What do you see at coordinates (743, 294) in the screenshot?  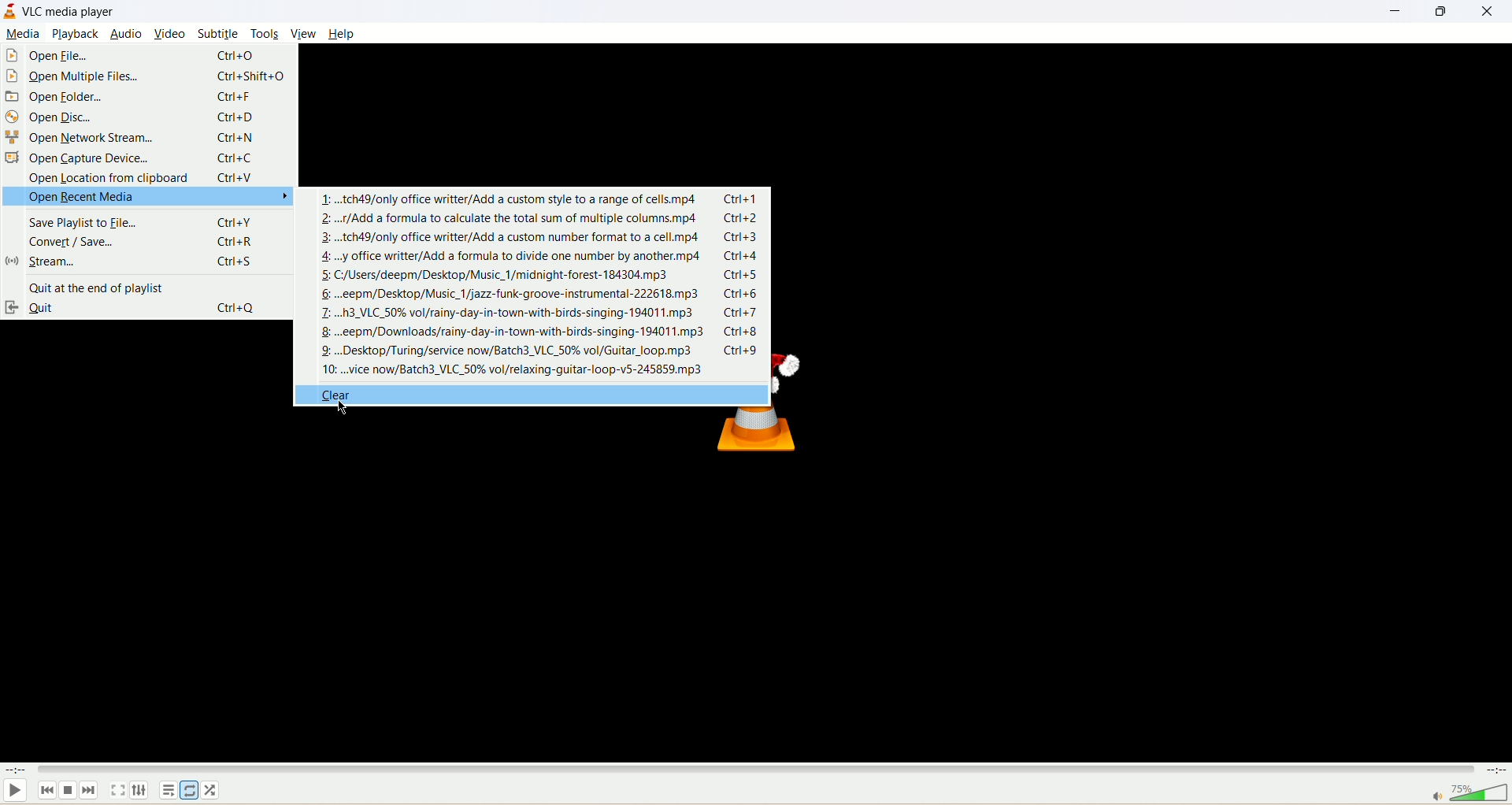 I see `ctrl+6` at bounding box center [743, 294].